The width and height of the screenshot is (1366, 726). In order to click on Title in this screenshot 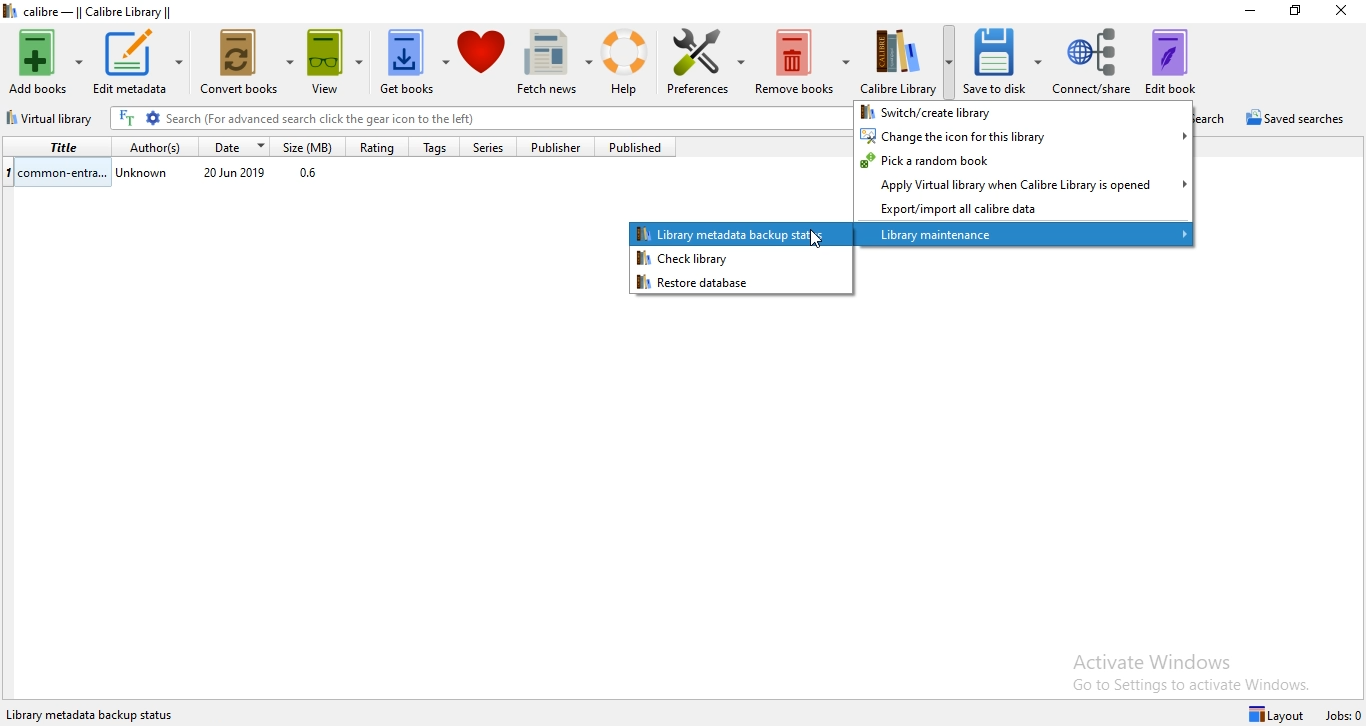, I will do `click(55, 146)`.